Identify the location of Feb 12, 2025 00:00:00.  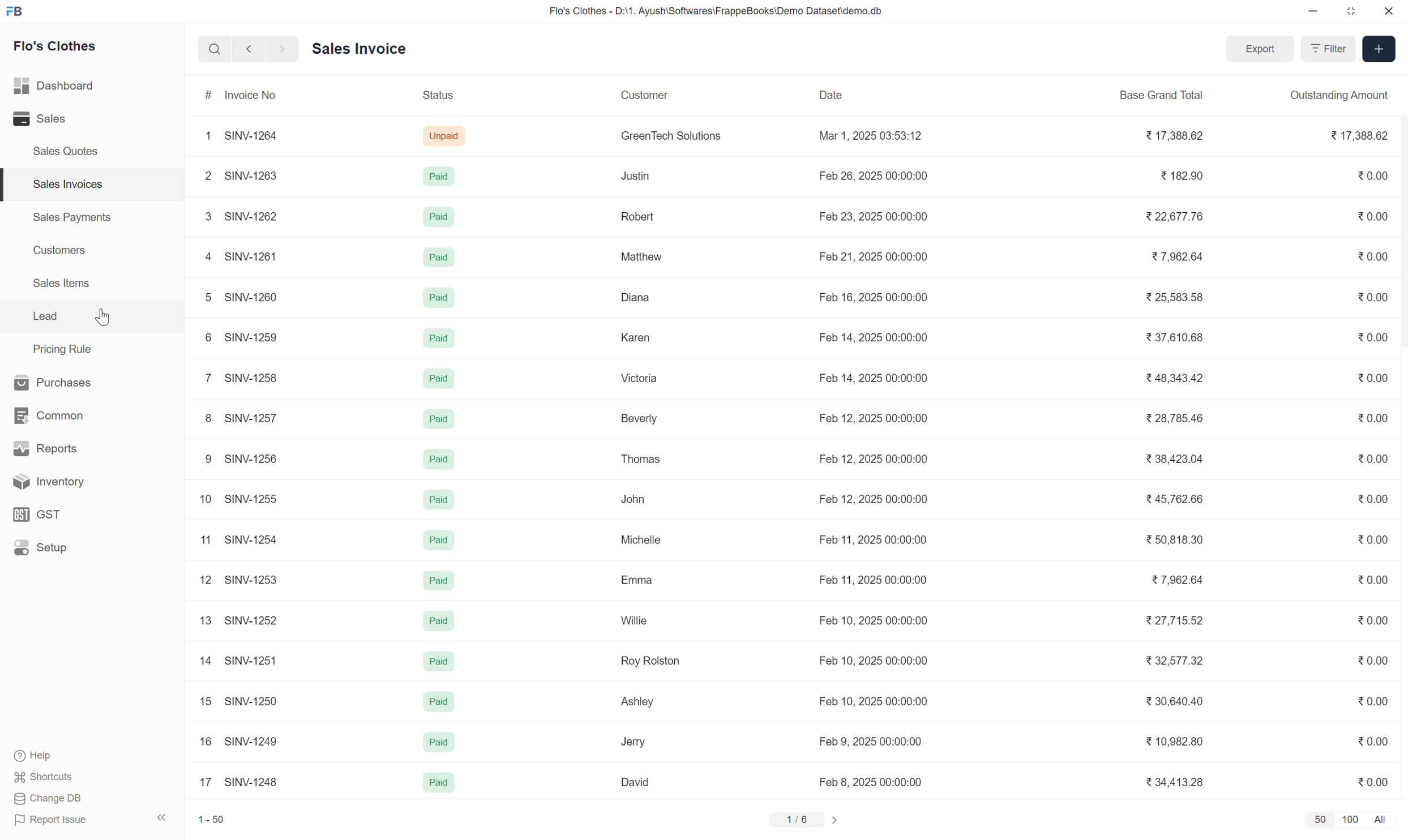
(885, 417).